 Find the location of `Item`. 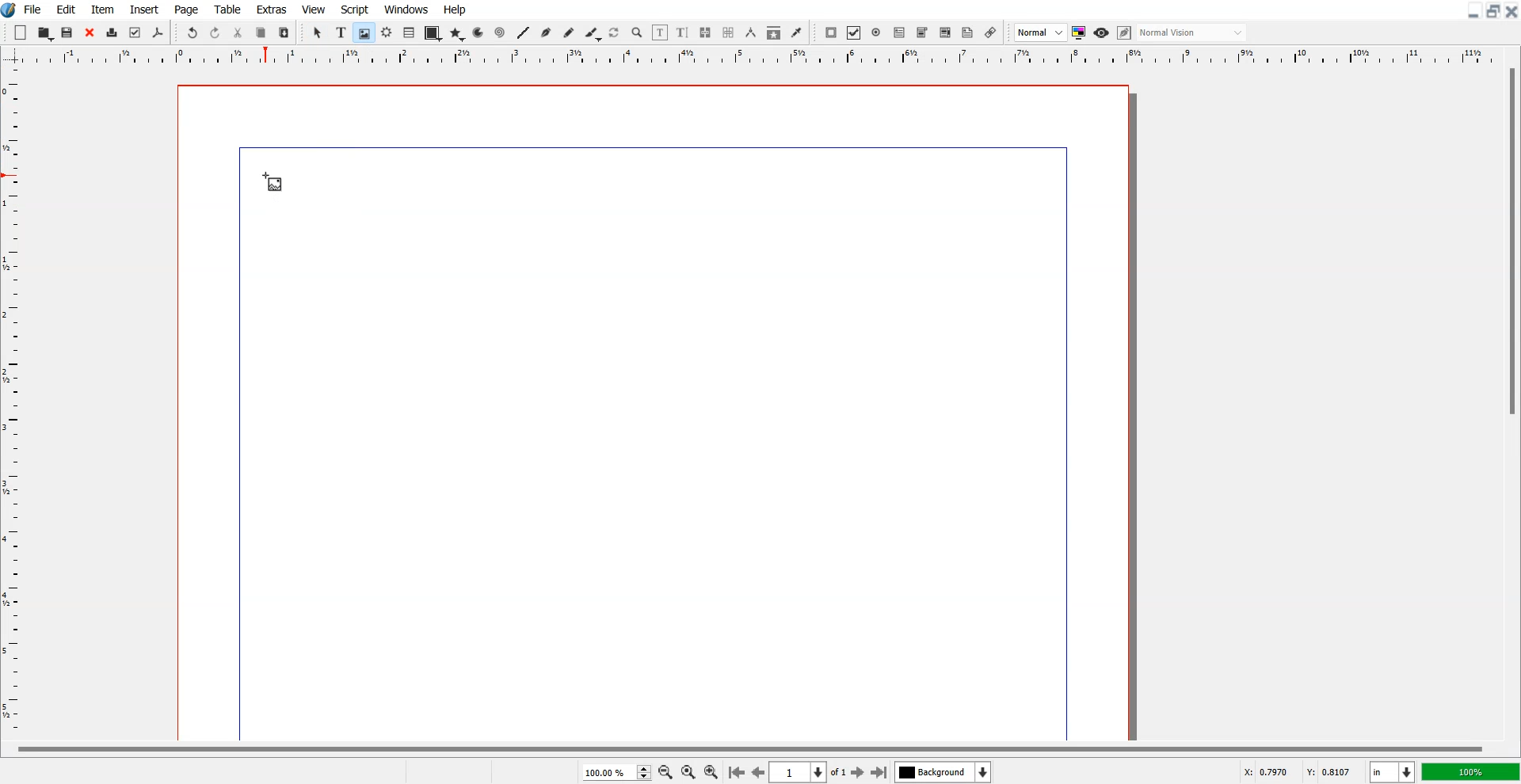

Item is located at coordinates (102, 9).